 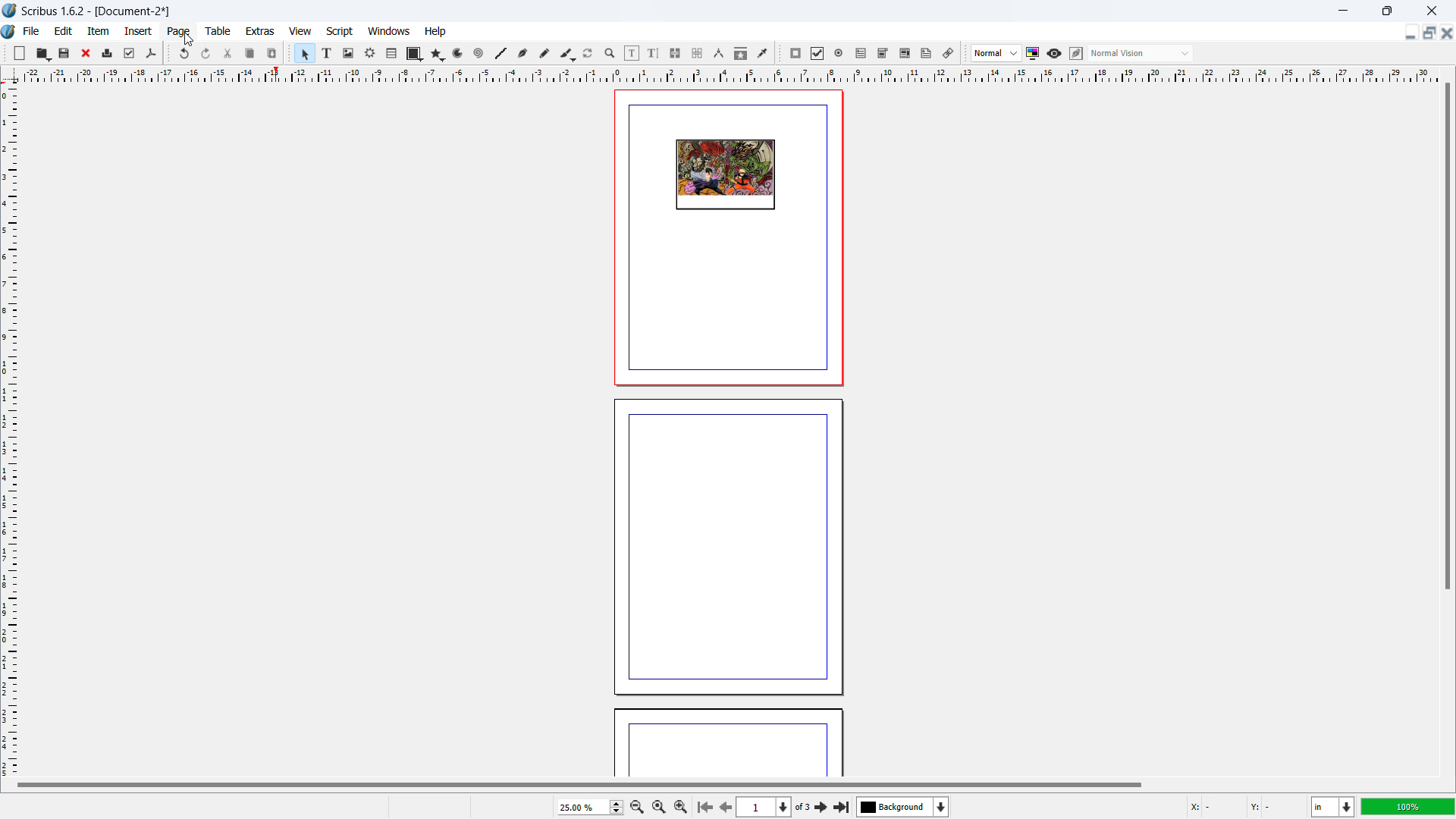 I want to click on next page, so click(x=822, y=806).